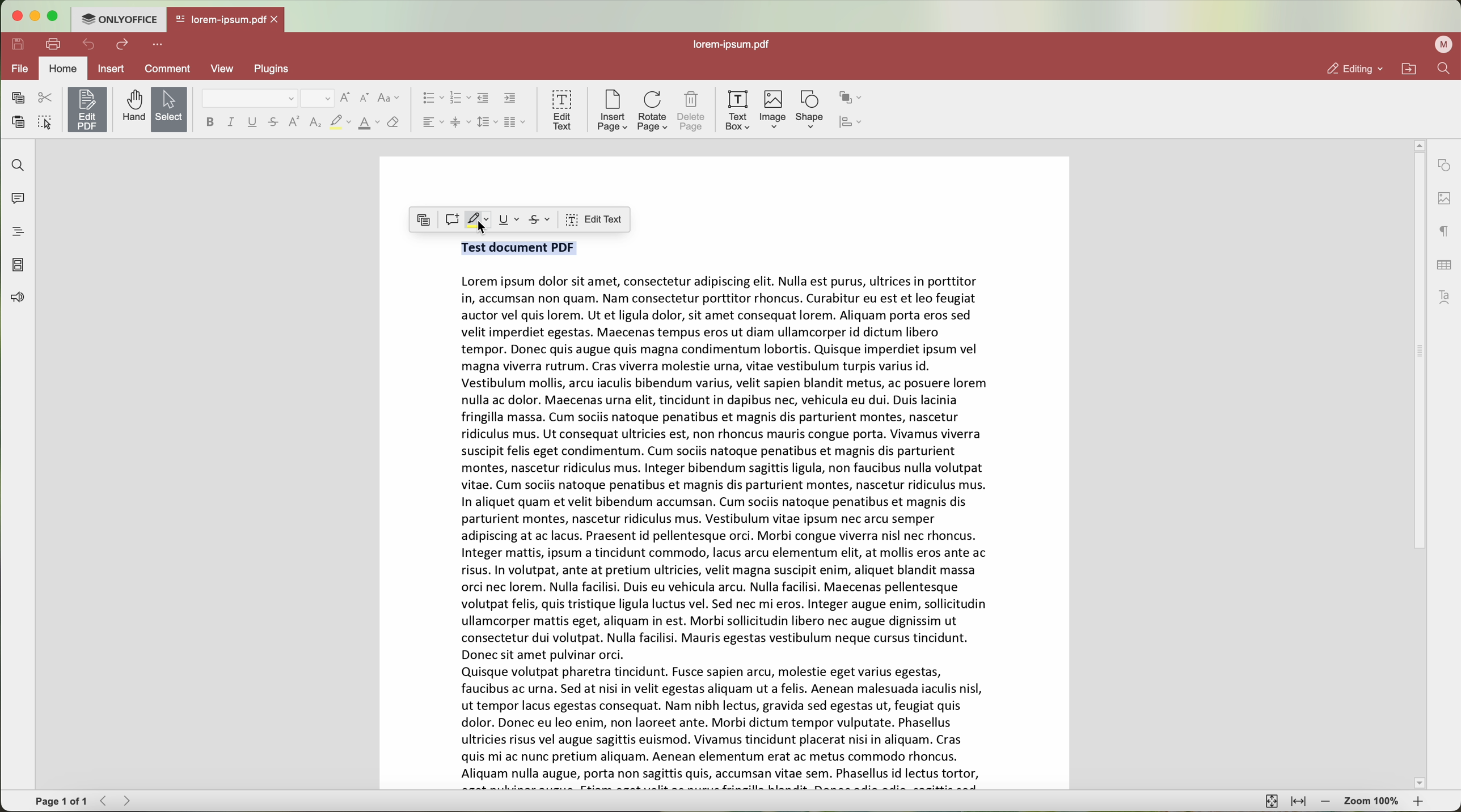 The image size is (1461, 812). Describe the element at coordinates (479, 223) in the screenshot. I see `highlight color` at that location.